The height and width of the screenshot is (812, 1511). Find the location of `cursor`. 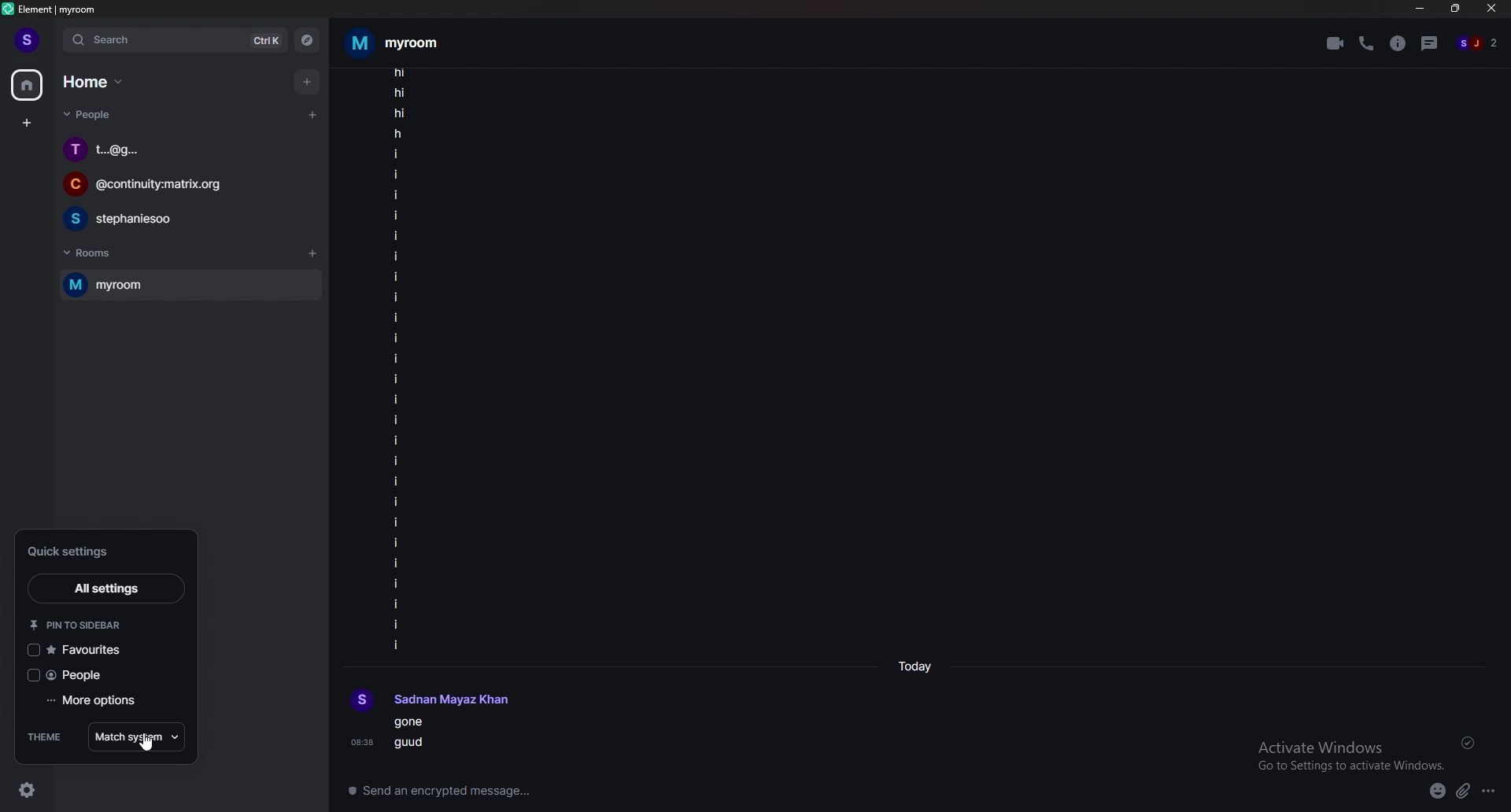

cursor is located at coordinates (150, 745).